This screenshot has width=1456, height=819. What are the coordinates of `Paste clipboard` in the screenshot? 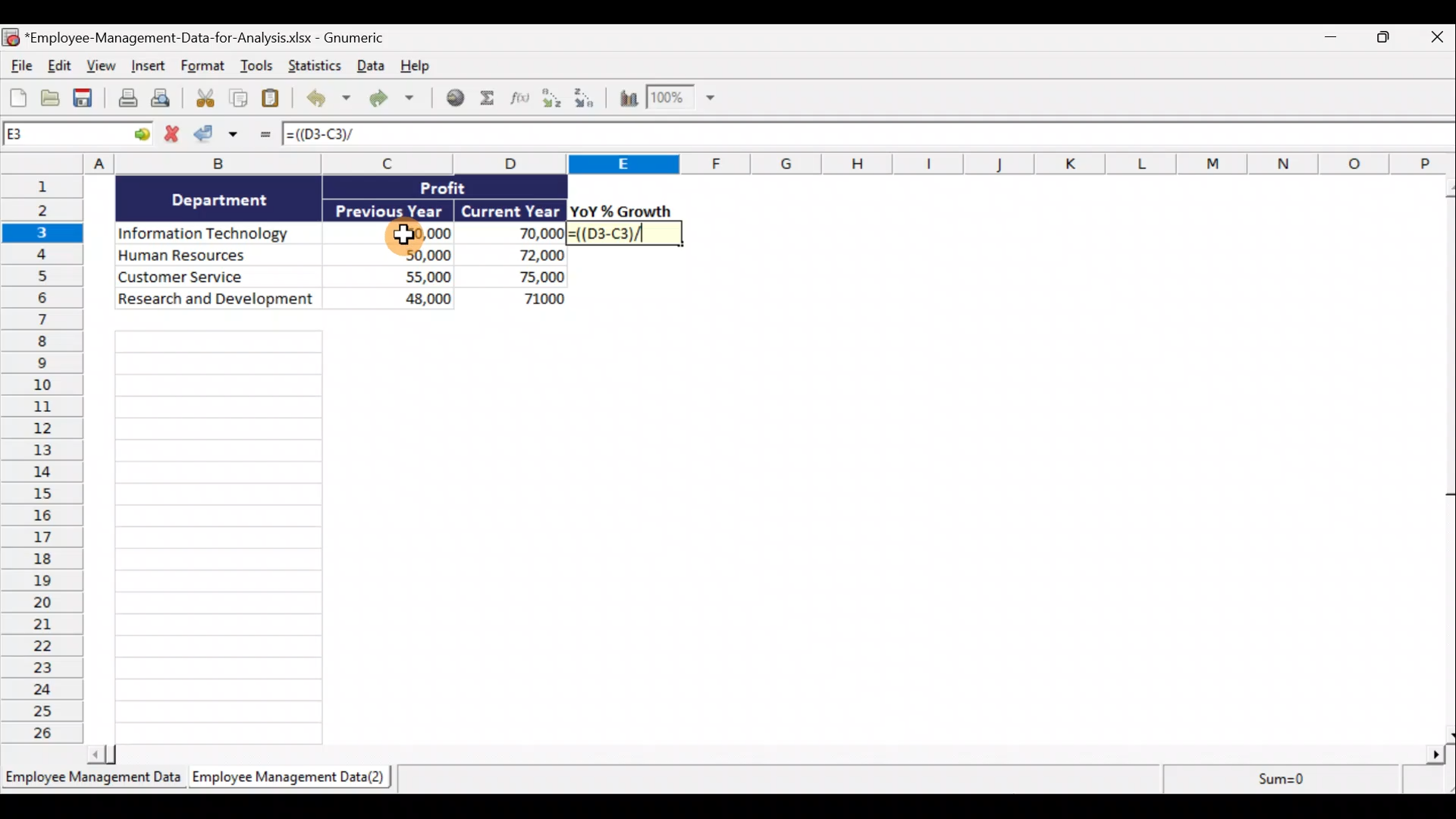 It's located at (274, 99).